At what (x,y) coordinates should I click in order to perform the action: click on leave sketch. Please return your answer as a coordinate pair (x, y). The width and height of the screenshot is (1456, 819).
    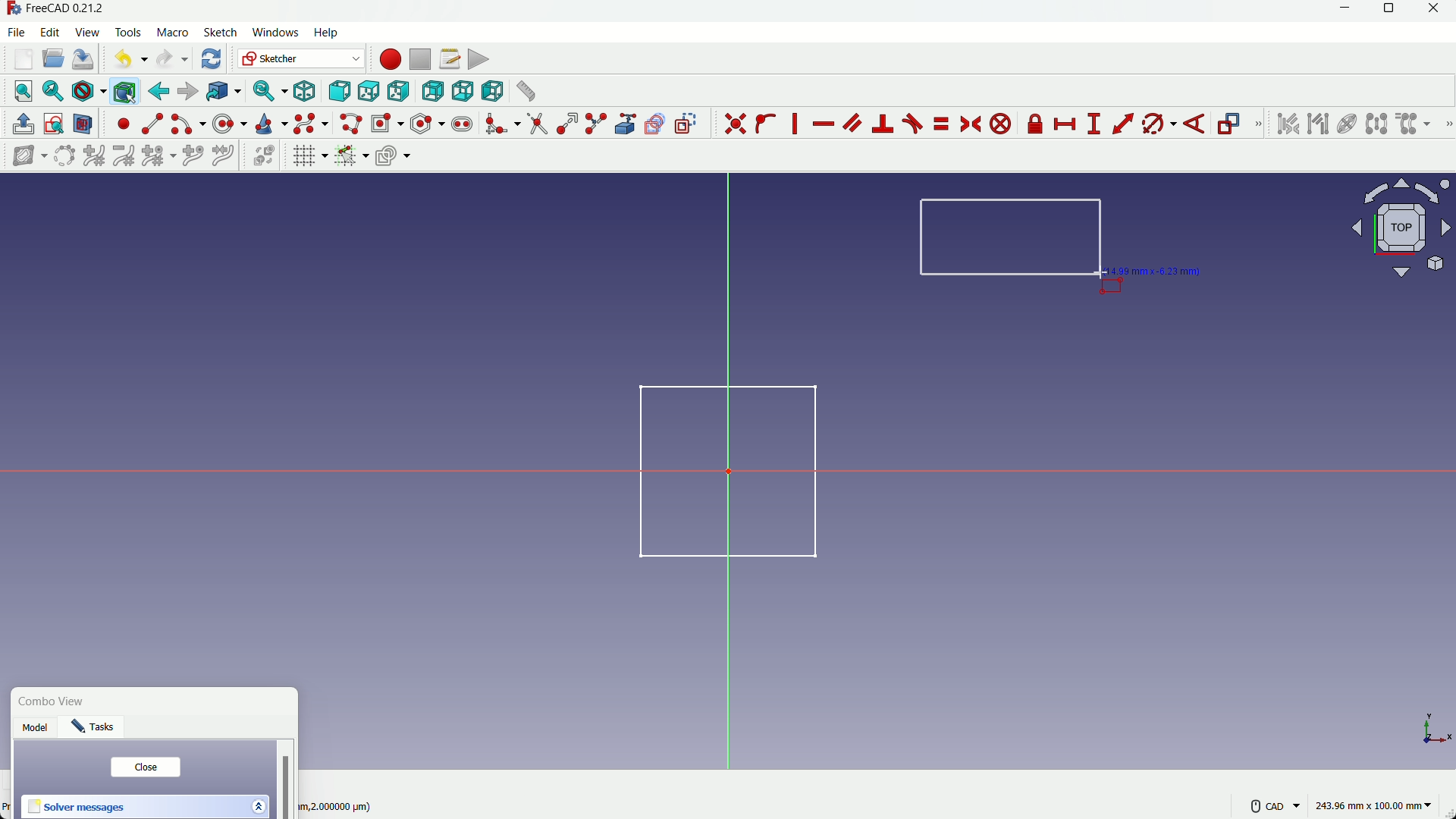
    Looking at the image, I should click on (24, 124).